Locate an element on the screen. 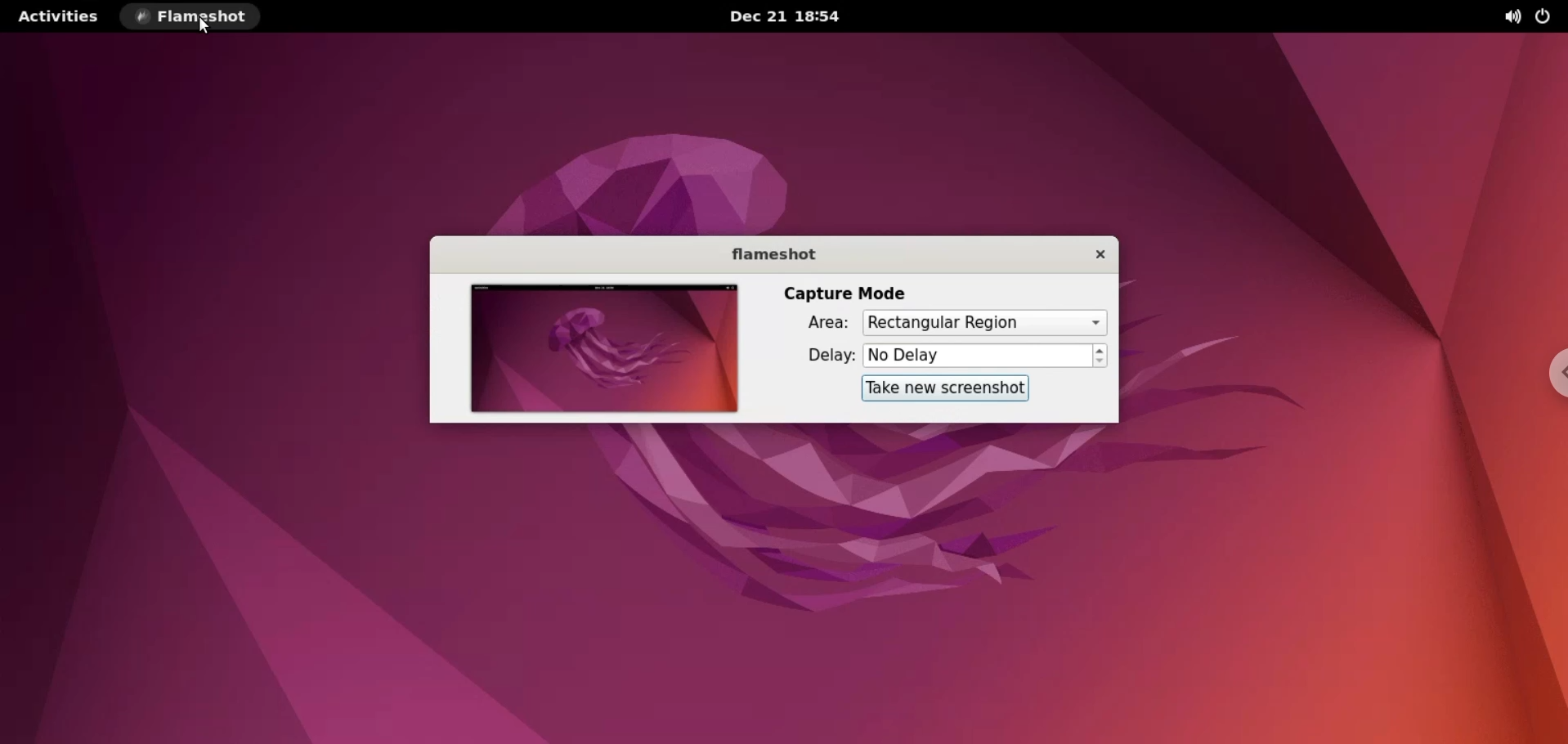 This screenshot has height=744, width=1568. power options is located at coordinates (1548, 17).